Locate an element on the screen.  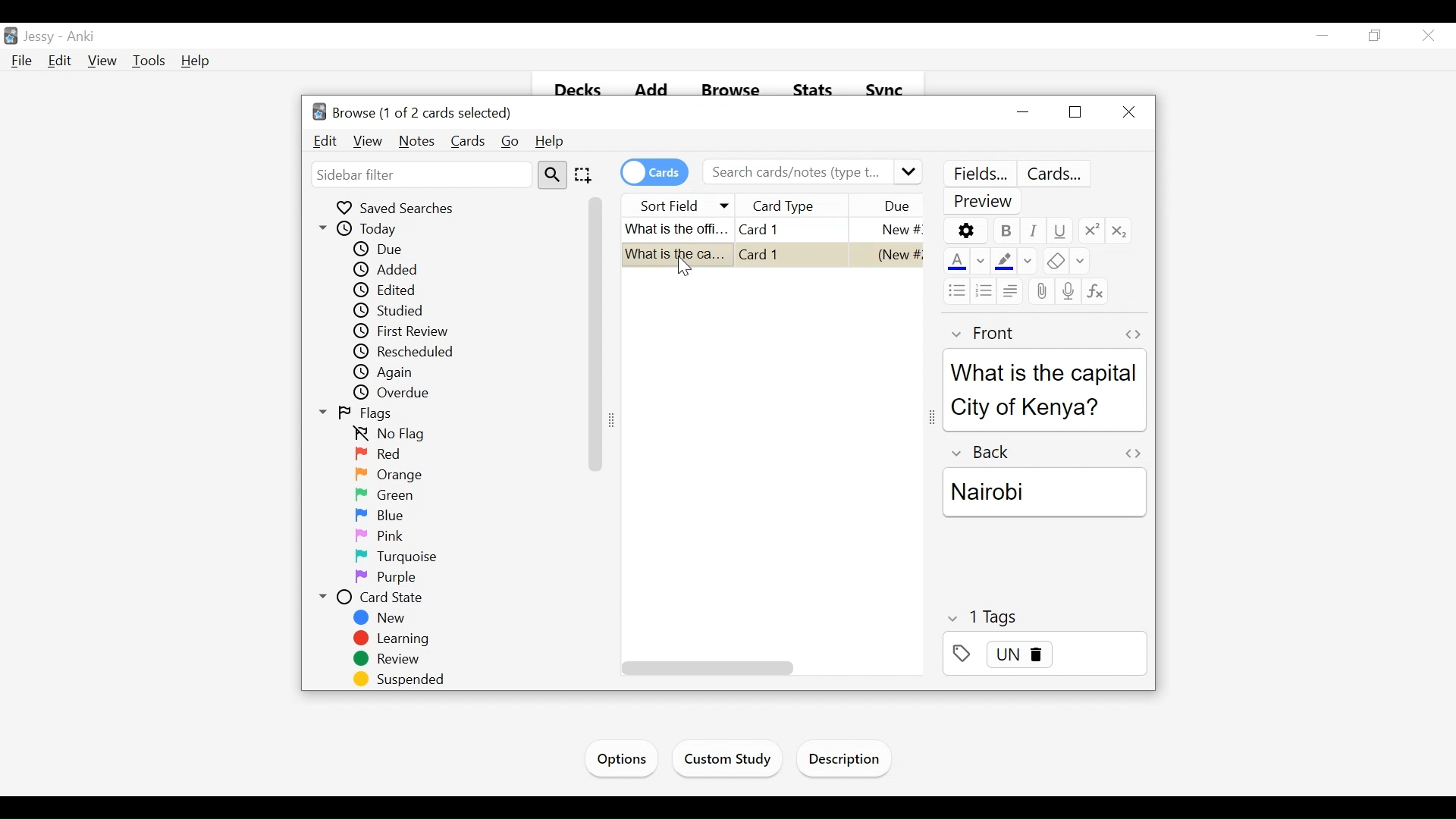
Today is located at coordinates (363, 229).